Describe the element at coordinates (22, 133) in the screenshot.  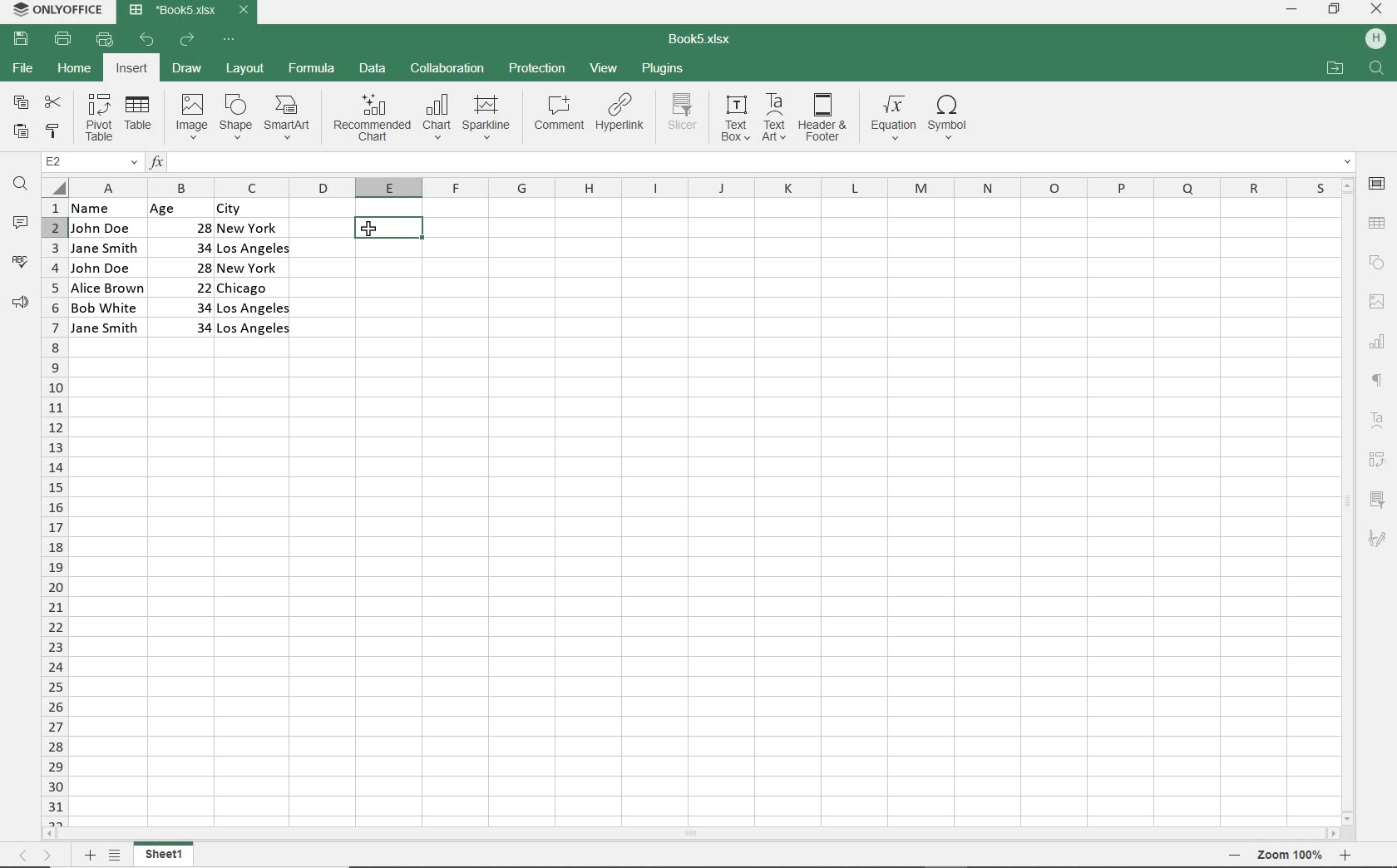
I see `PASTE` at that location.